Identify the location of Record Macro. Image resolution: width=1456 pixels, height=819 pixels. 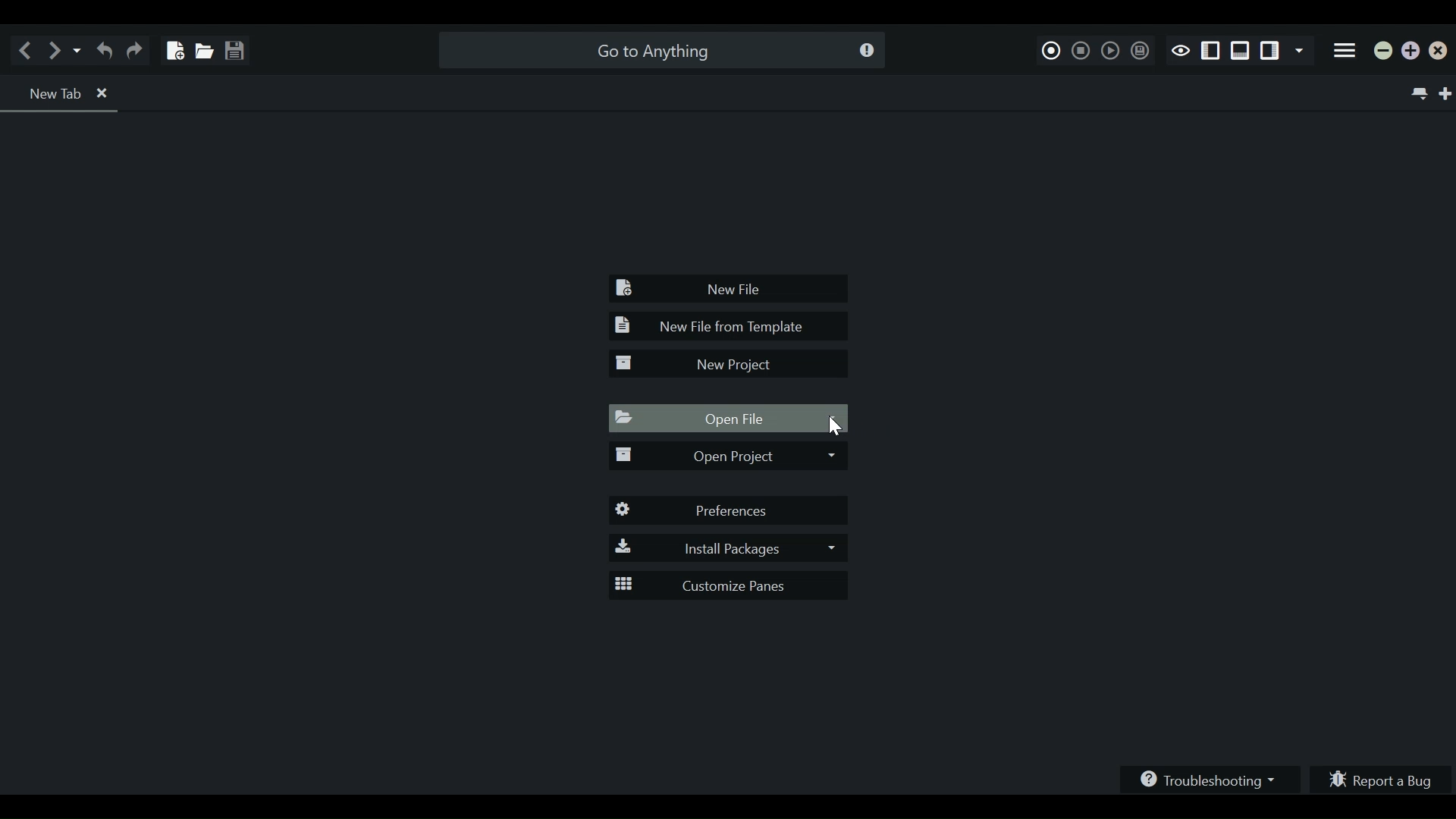
(1052, 49).